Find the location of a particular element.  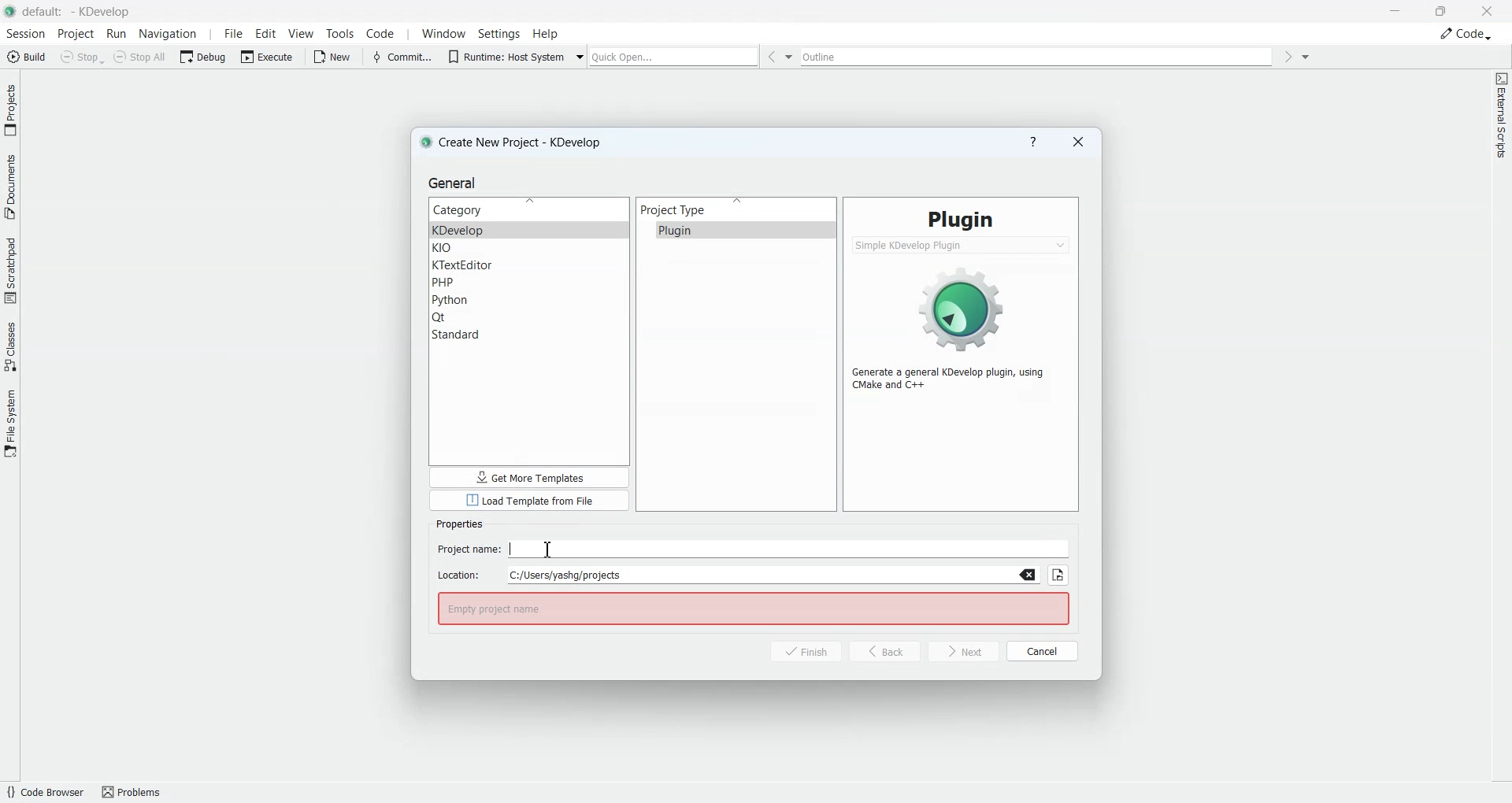

Settings is located at coordinates (499, 33).